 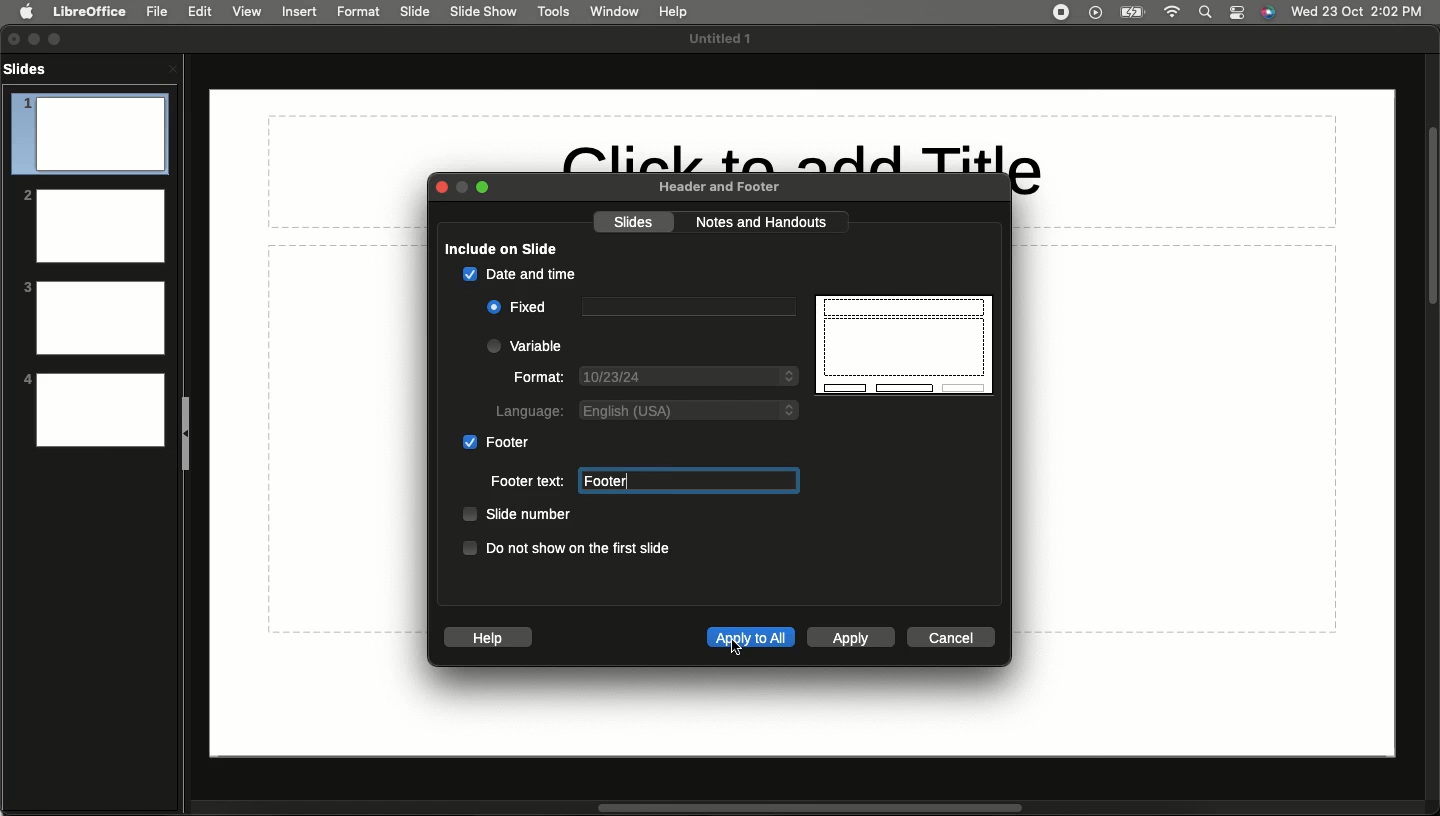 What do you see at coordinates (525, 410) in the screenshot?
I see `Language` at bounding box center [525, 410].